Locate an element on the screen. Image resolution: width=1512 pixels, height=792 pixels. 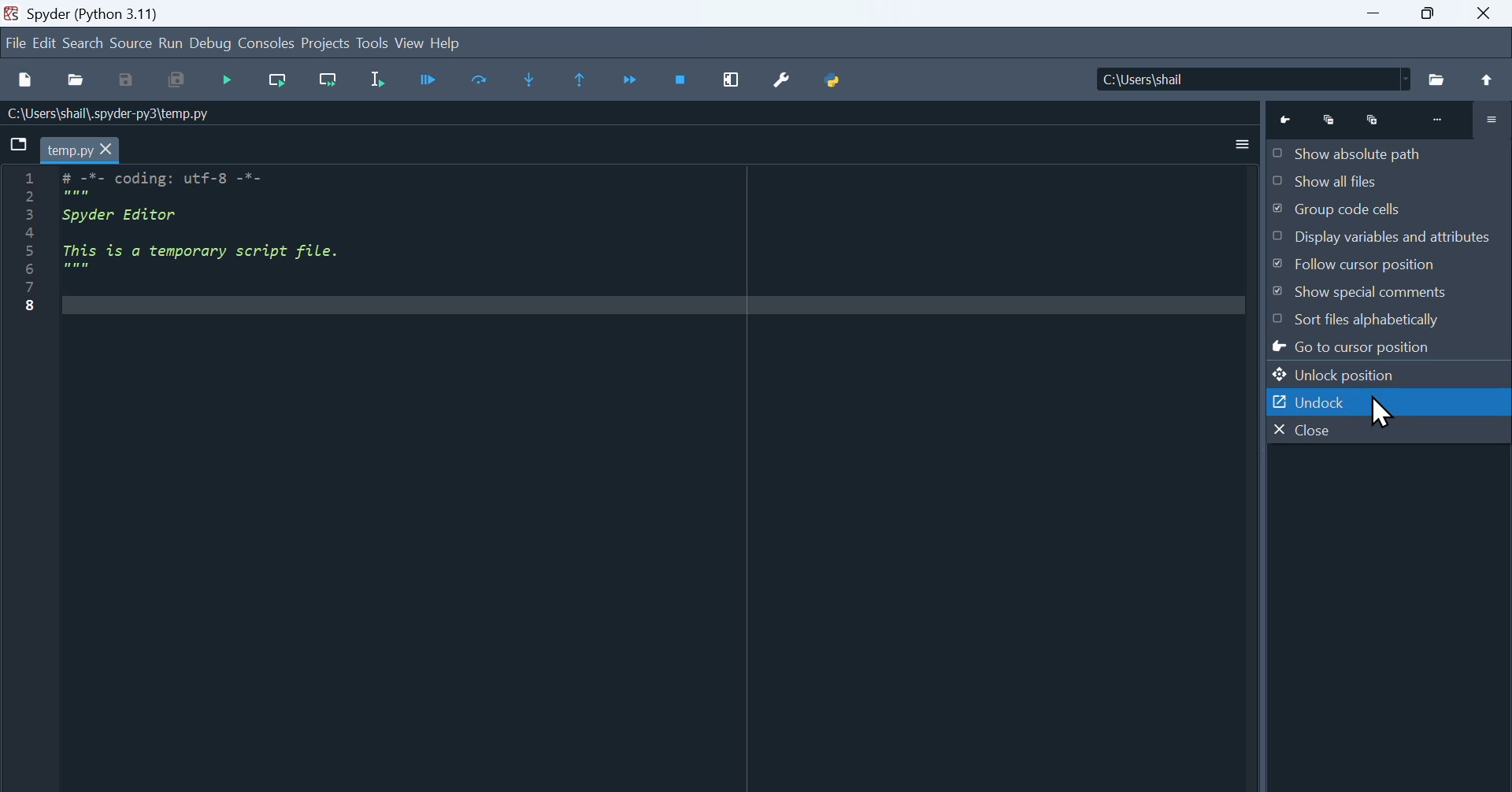
Step in to function is located at coordinates (530, 80).